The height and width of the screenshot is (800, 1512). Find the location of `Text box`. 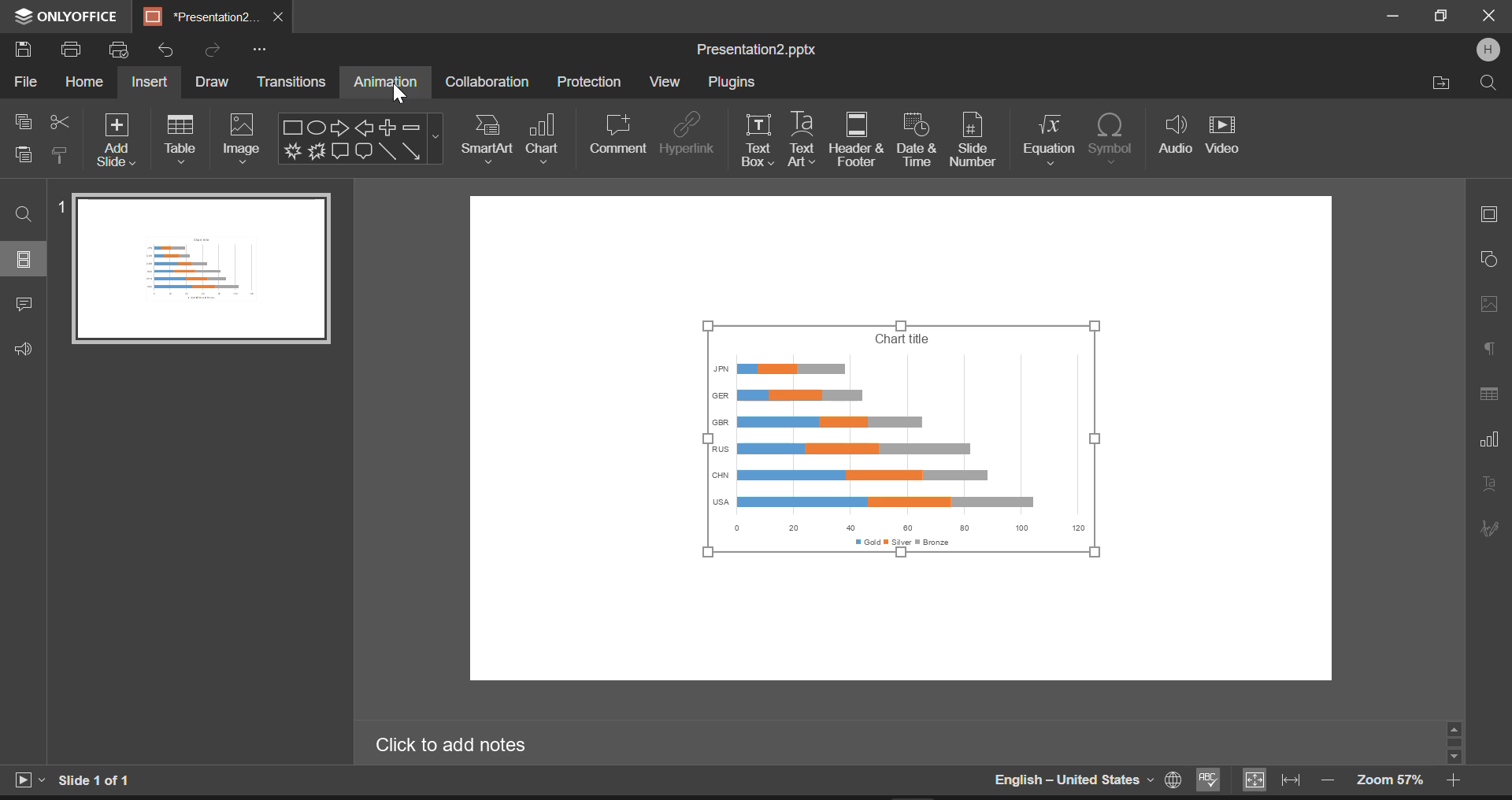

Text box is located at coordinates (756, 140).